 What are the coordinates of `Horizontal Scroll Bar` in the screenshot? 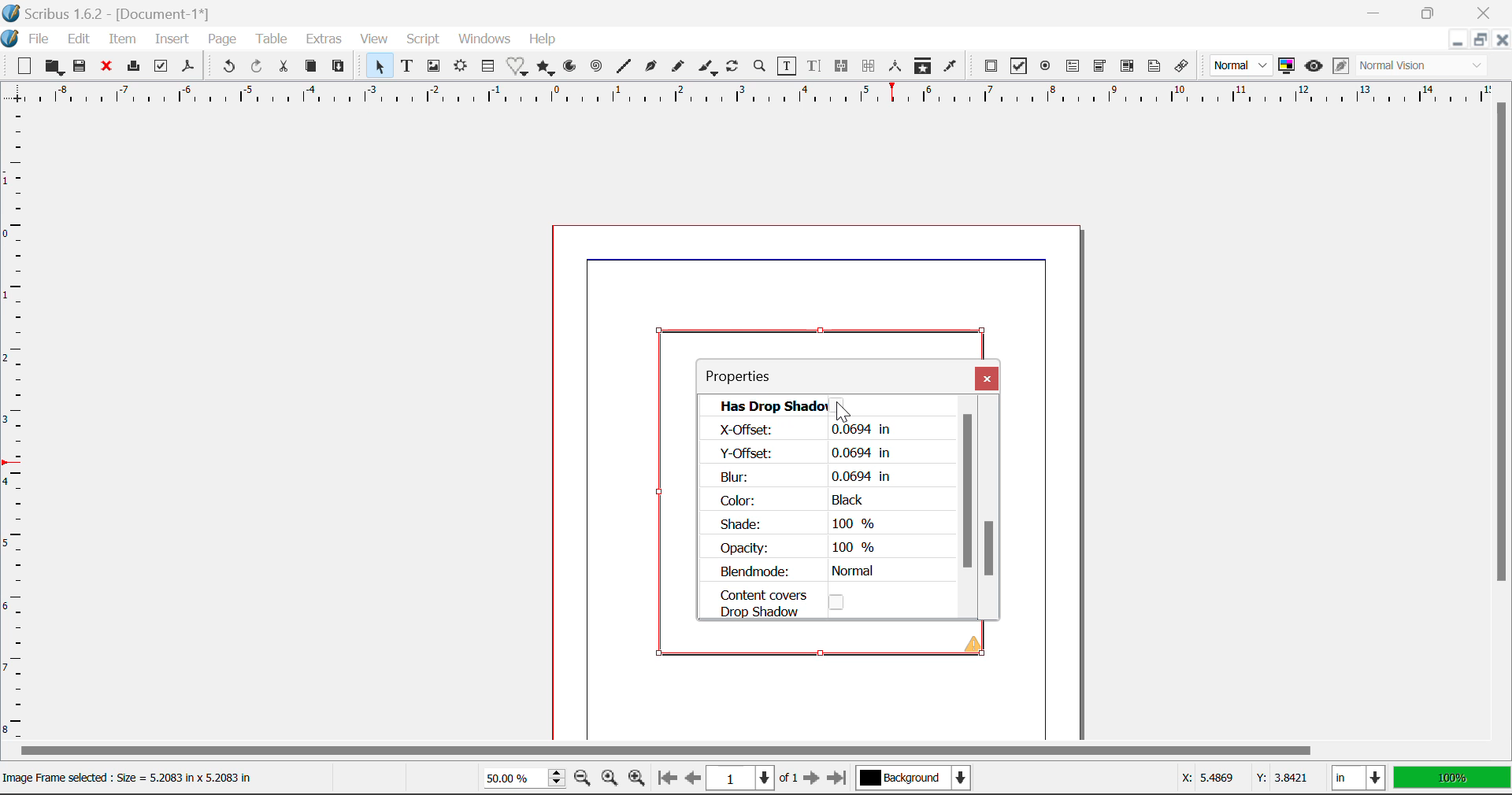 It's located at (736, 751).